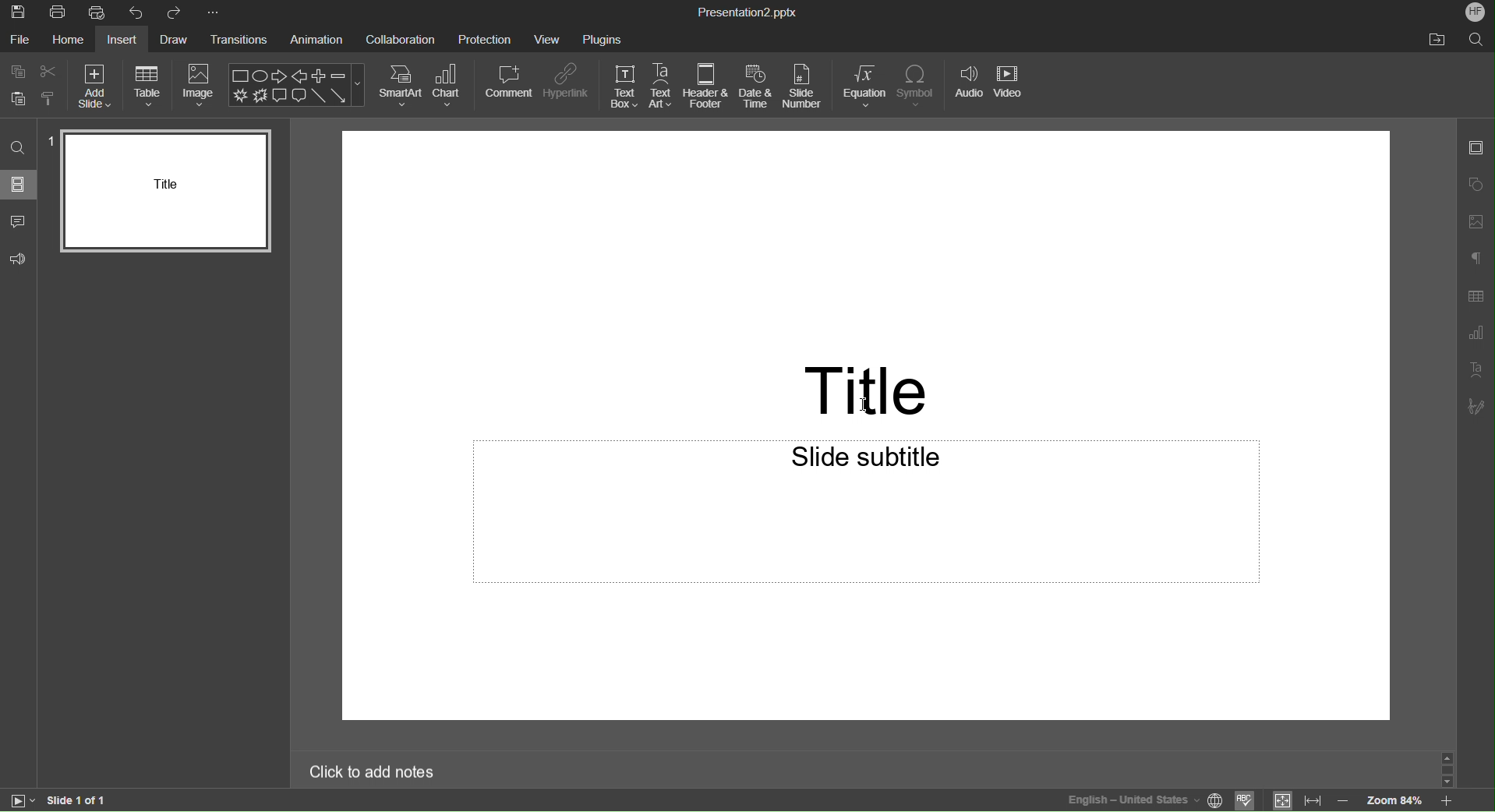 The width and height of the screenshot is (1495, 812). What do you see at coordinates (969, 86) in the screenshot?
I see `Audio` at bounding box center [969, 86].